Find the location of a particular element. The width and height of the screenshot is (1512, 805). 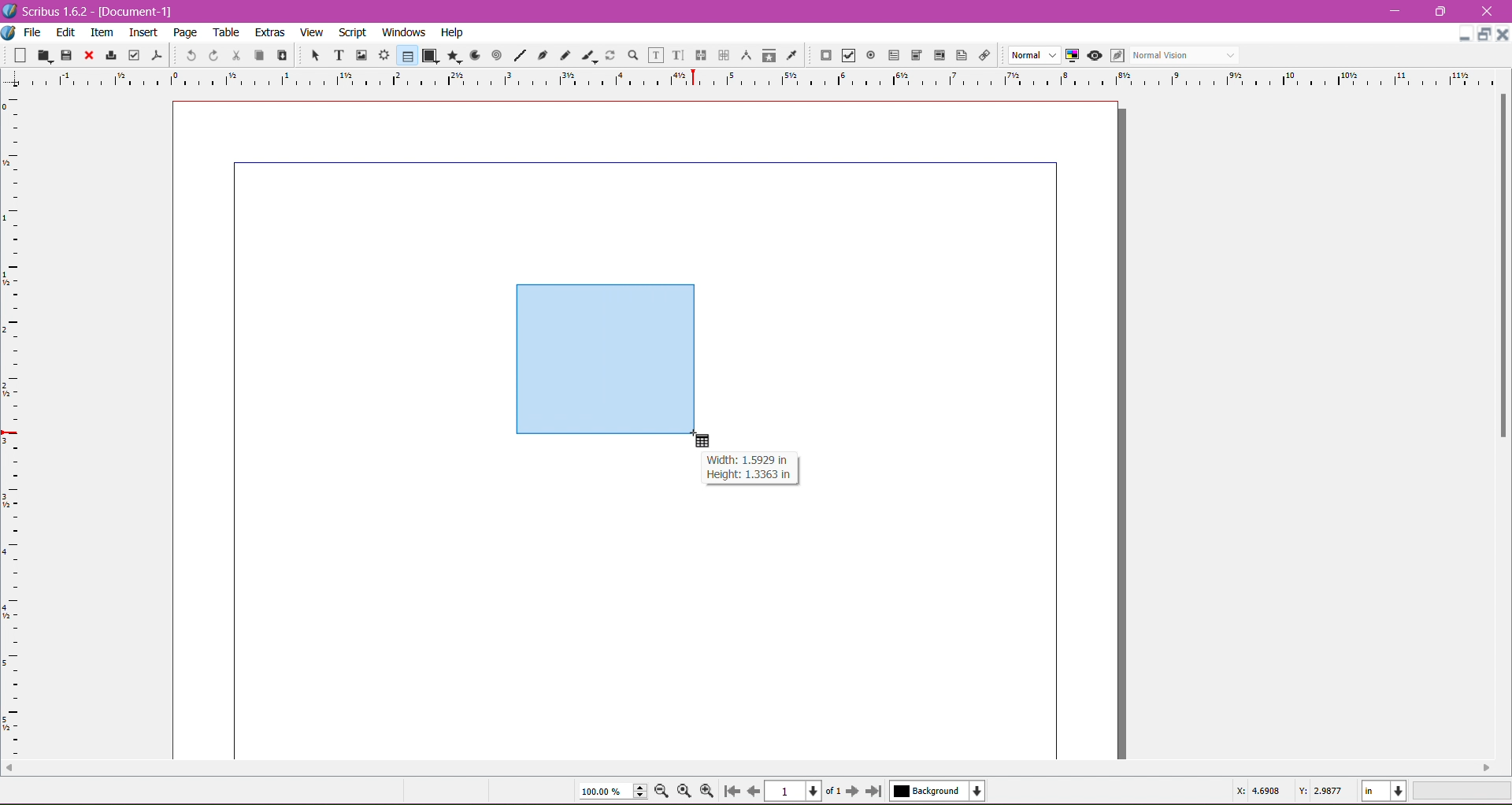

of 1 is located at coordinates (832, 789).